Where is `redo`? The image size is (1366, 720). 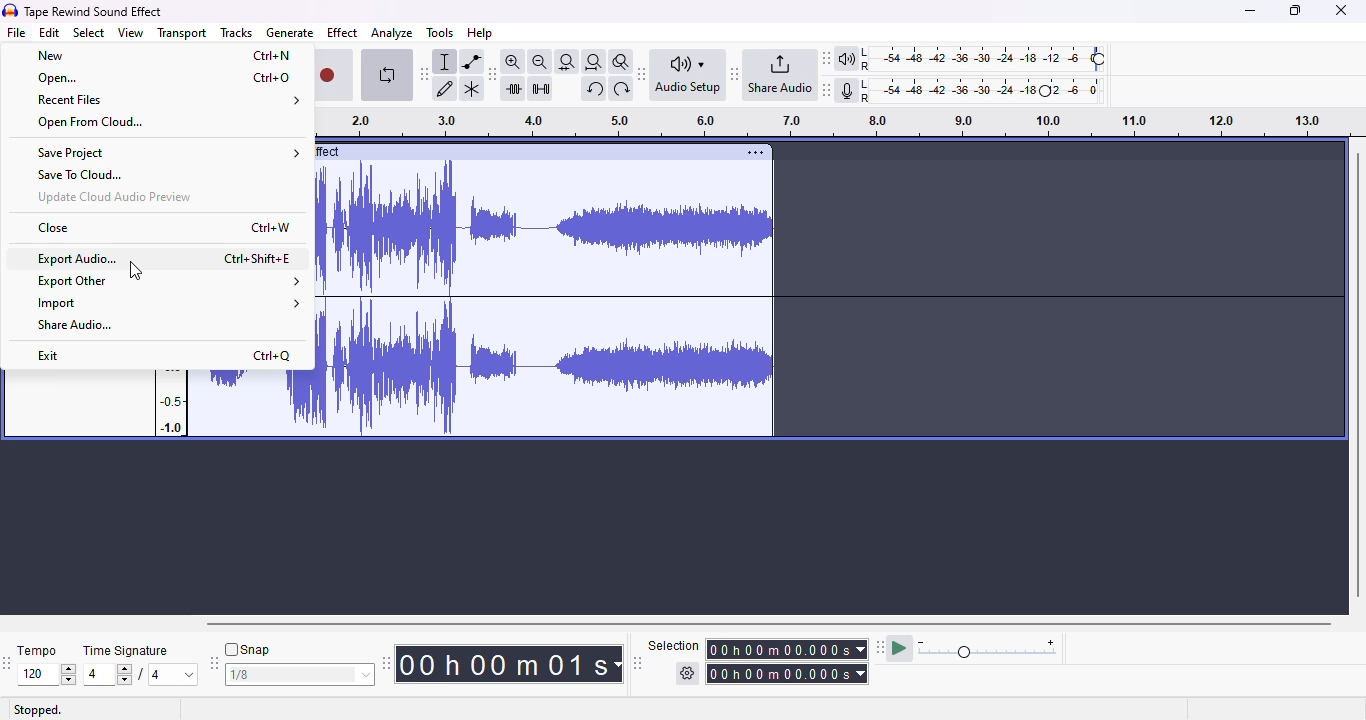
redo is located at coordinates (622, 88).